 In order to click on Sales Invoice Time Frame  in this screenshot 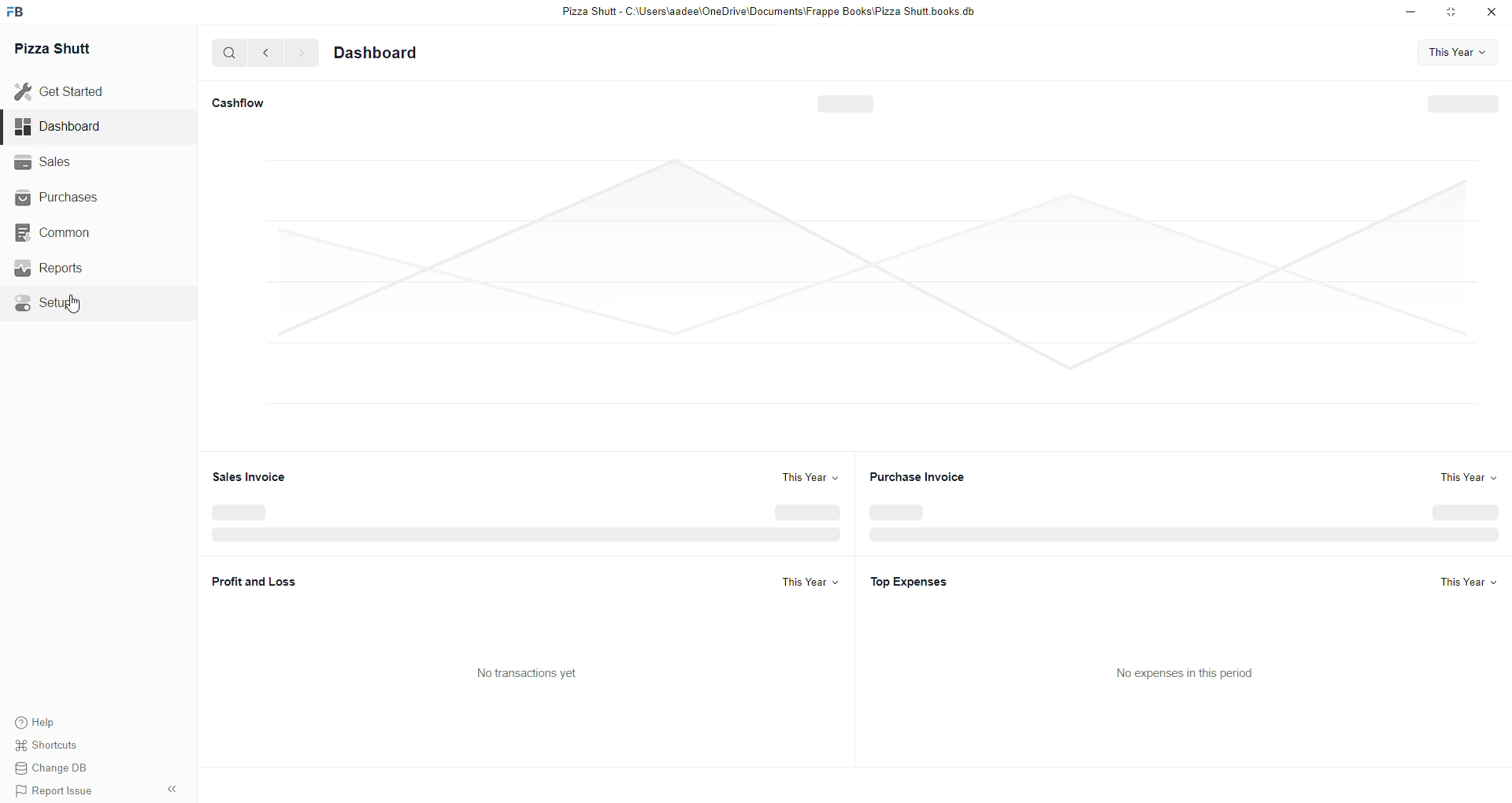, I will do `click(796, 478)`.